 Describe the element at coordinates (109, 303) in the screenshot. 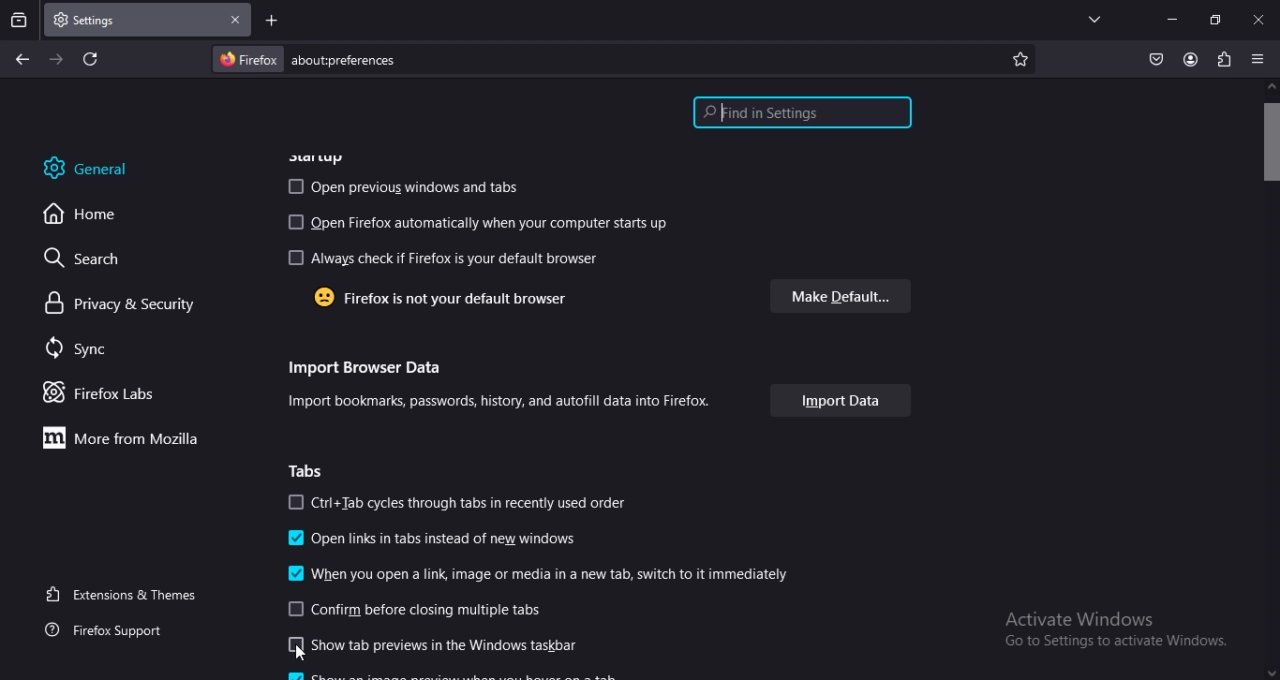

I see `privacy& security` at that location.